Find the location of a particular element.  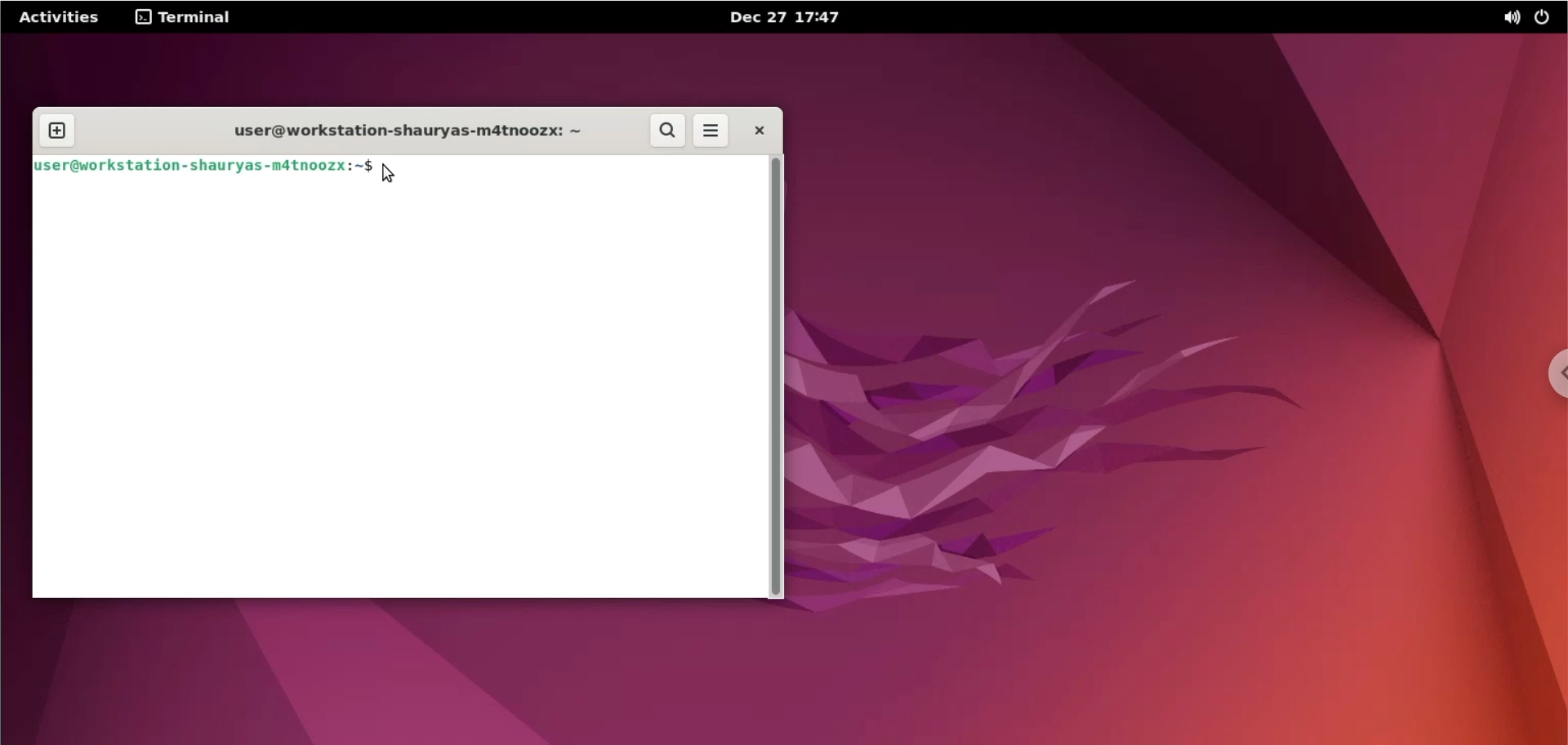

Dec 27 17:47 is located at coordinates (800, 16).